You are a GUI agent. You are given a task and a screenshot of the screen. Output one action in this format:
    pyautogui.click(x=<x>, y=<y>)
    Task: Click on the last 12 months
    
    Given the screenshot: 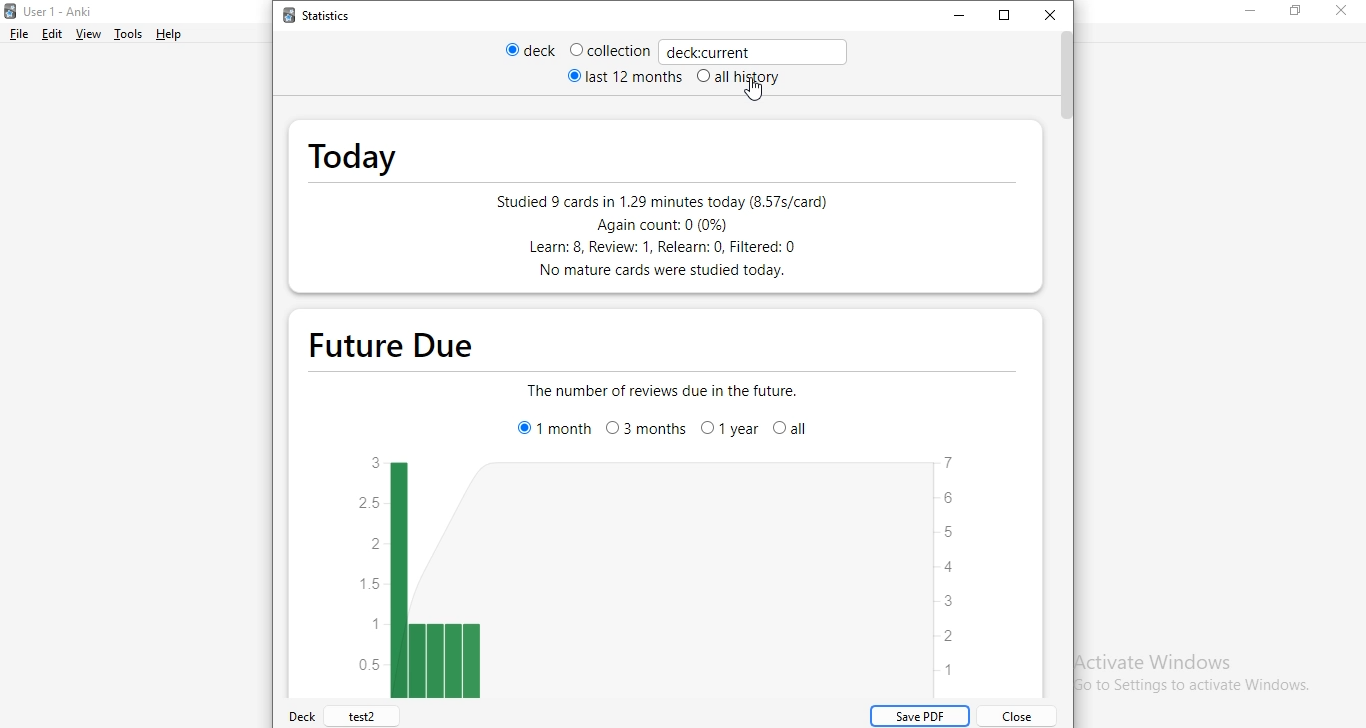 What is the action you would take?
    pyautogui.click(x=628, y=78)
    